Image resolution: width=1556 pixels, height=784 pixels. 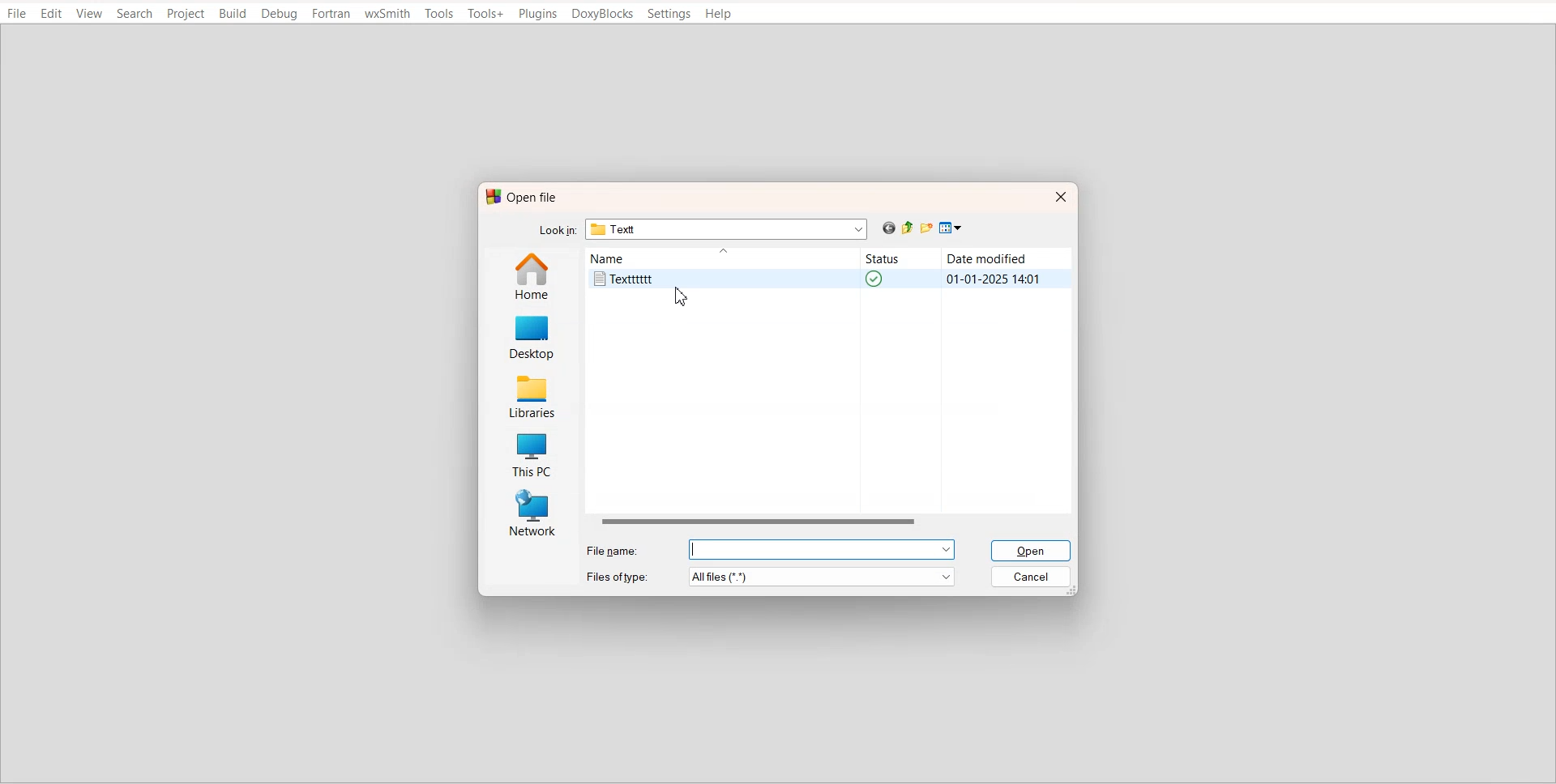 What do you see at coordinates (186, 13) in the screenshot?
I see `Project` at bounding box center [186, 13].